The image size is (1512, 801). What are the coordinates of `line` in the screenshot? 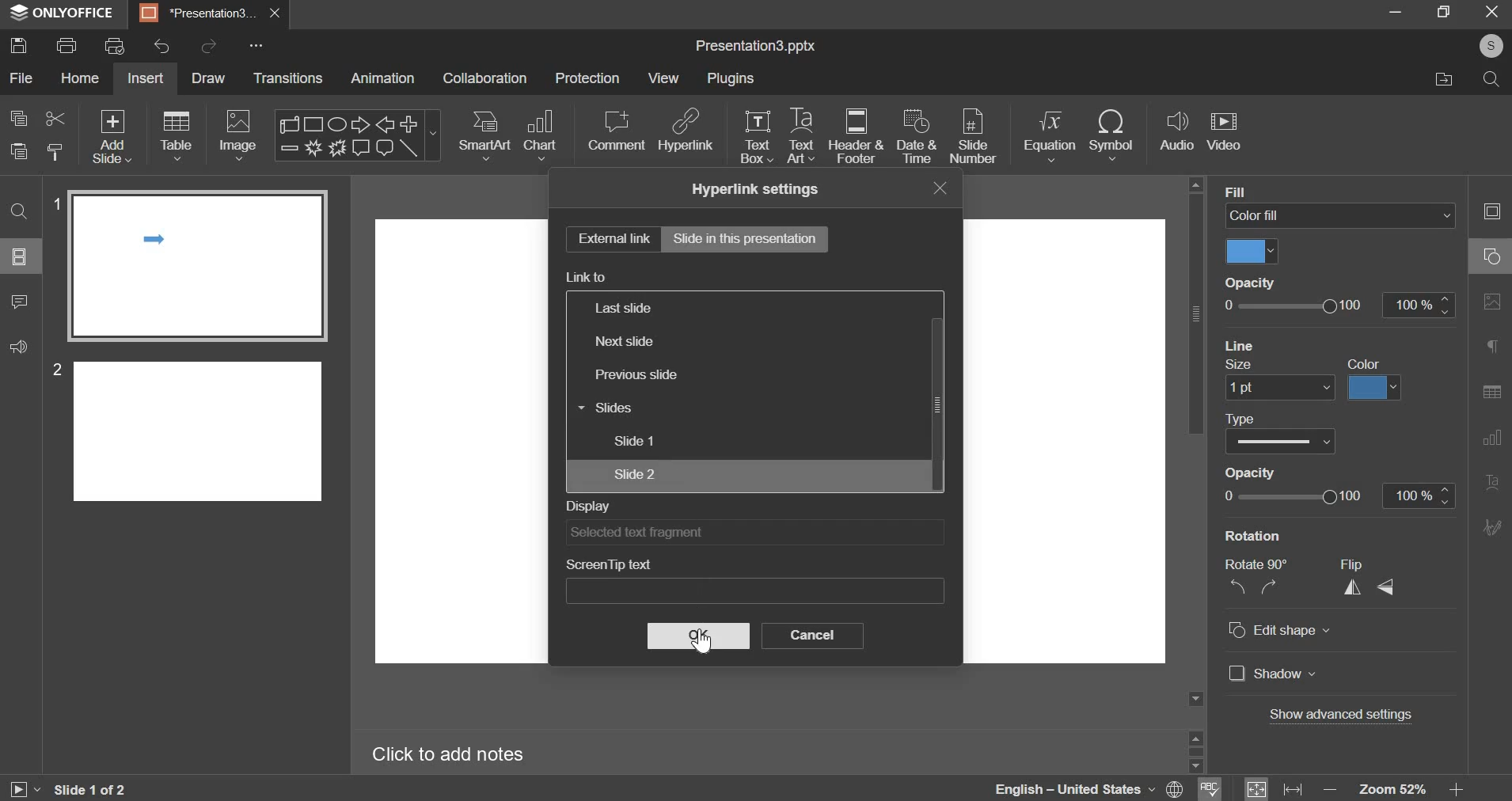 It's located at (409, 148).